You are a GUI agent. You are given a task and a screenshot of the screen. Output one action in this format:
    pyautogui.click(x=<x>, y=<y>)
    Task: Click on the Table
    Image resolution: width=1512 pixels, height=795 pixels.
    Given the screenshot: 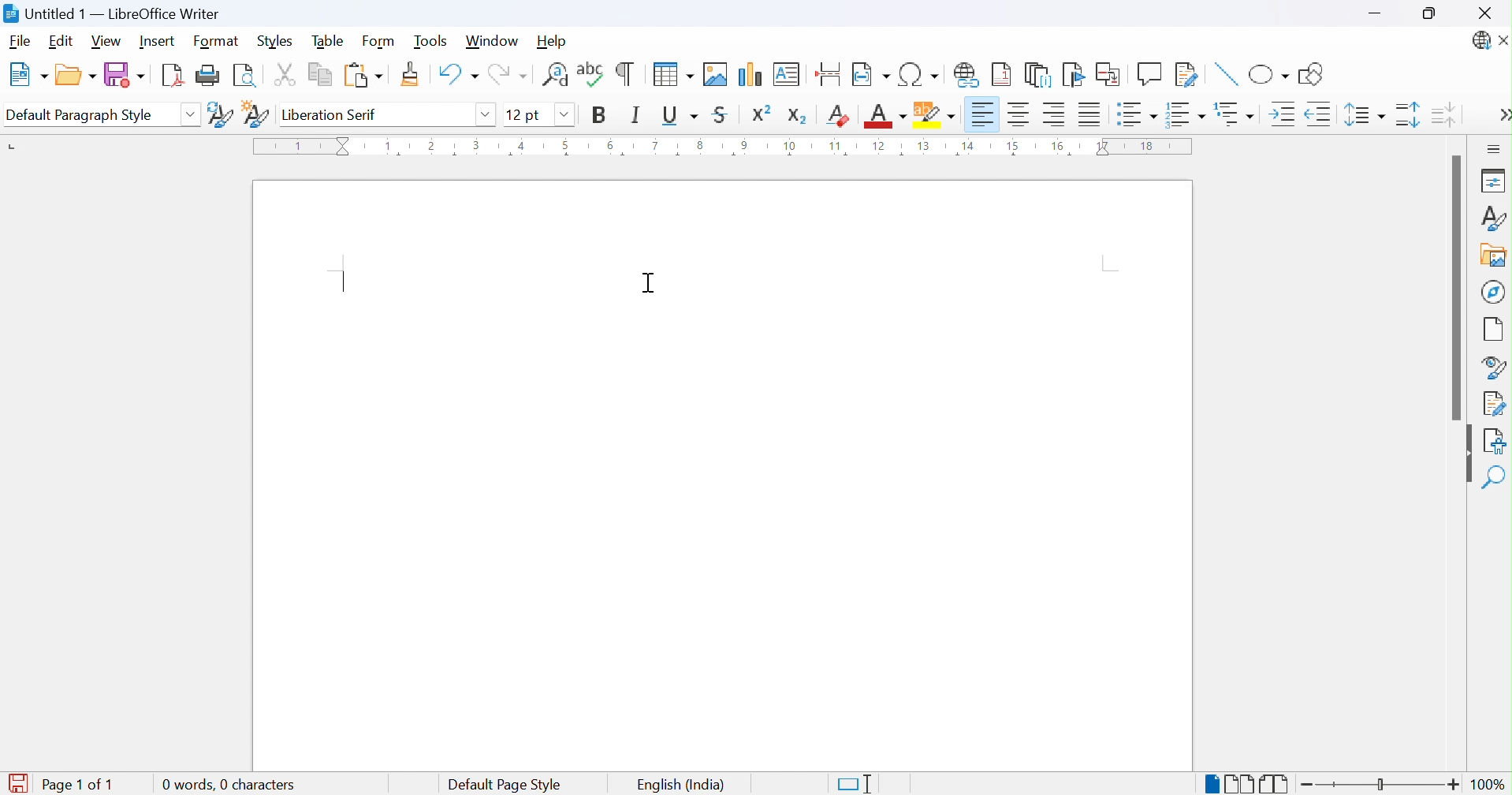 What is the action you would take?
    pyautogui.click(x=326, y=40)
    